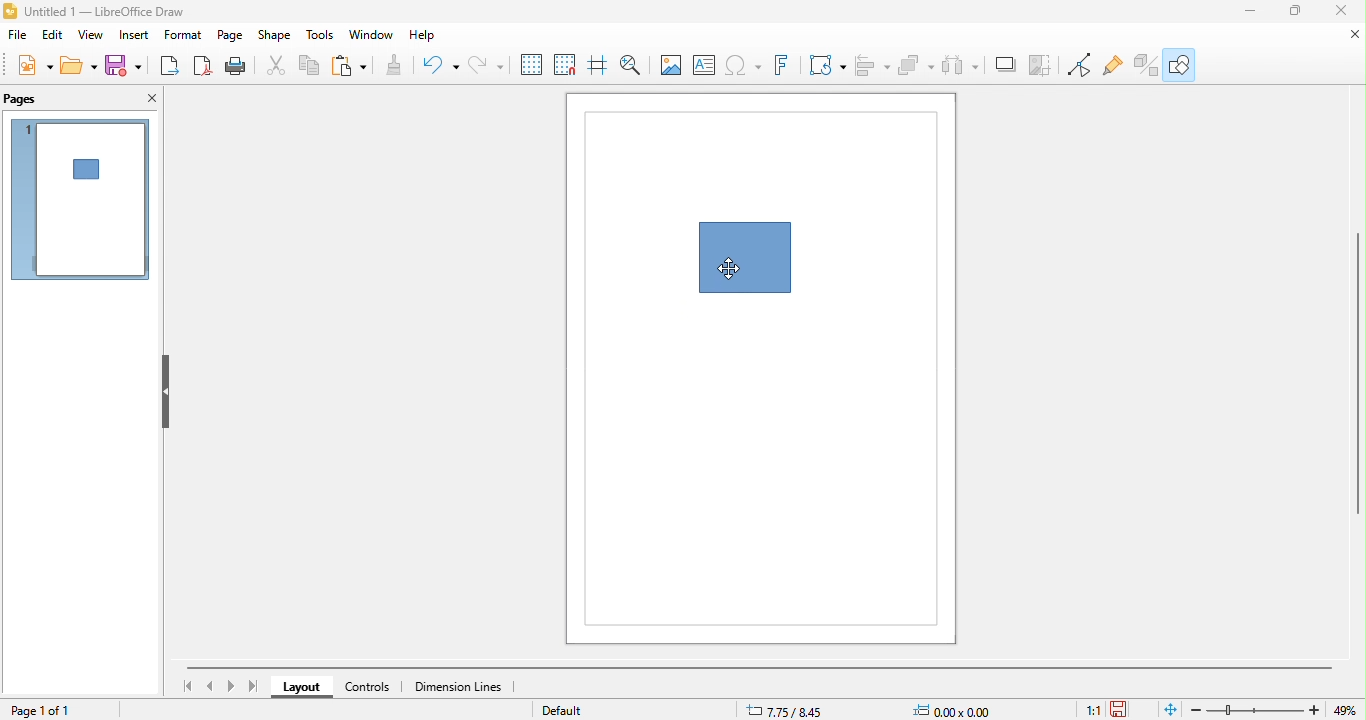 The width and height of the screenshot is (1366, 720). I want to click on redo, so click(486, 66).